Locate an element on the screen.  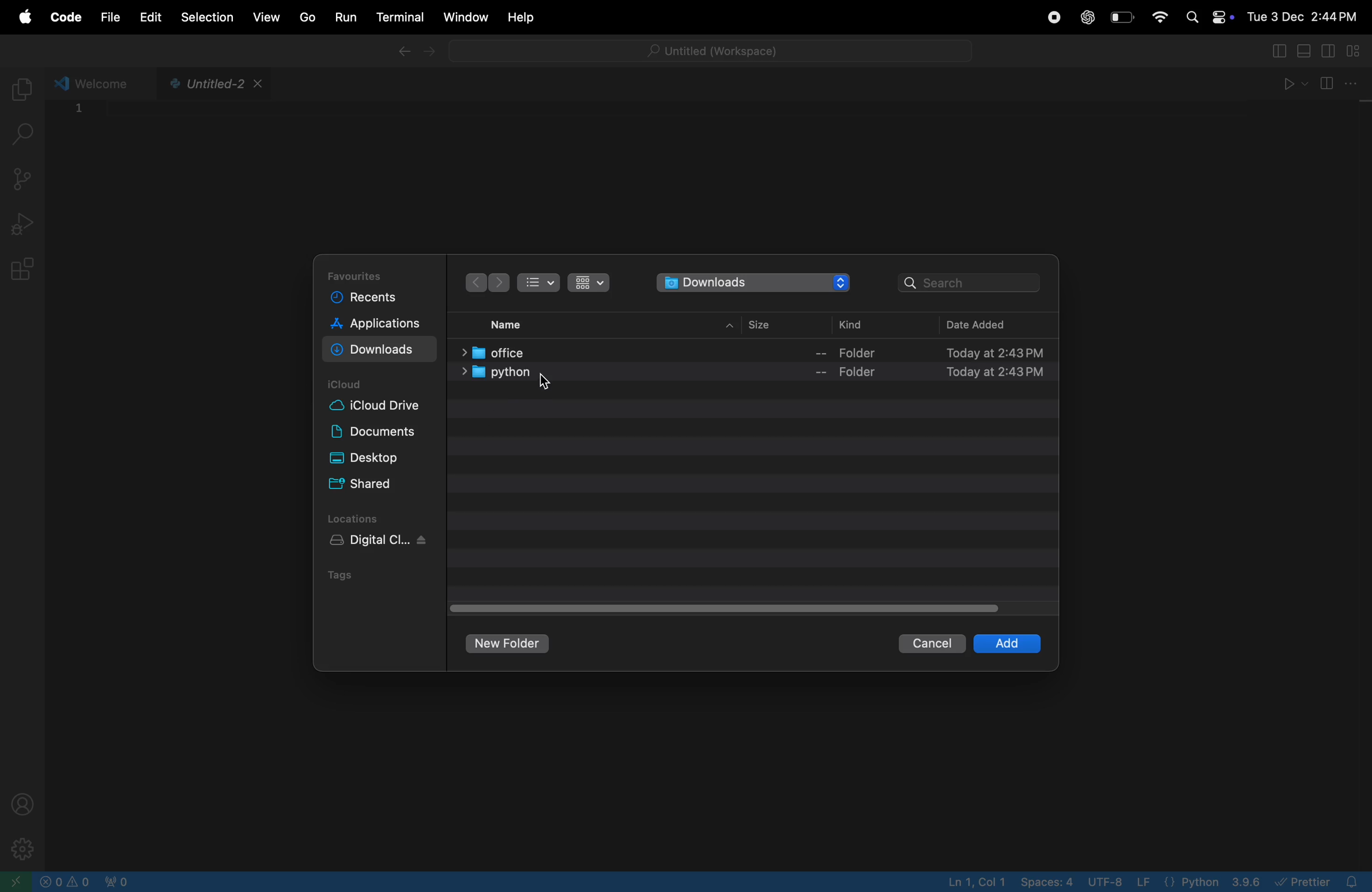
go is located at coordinates (306, 16).